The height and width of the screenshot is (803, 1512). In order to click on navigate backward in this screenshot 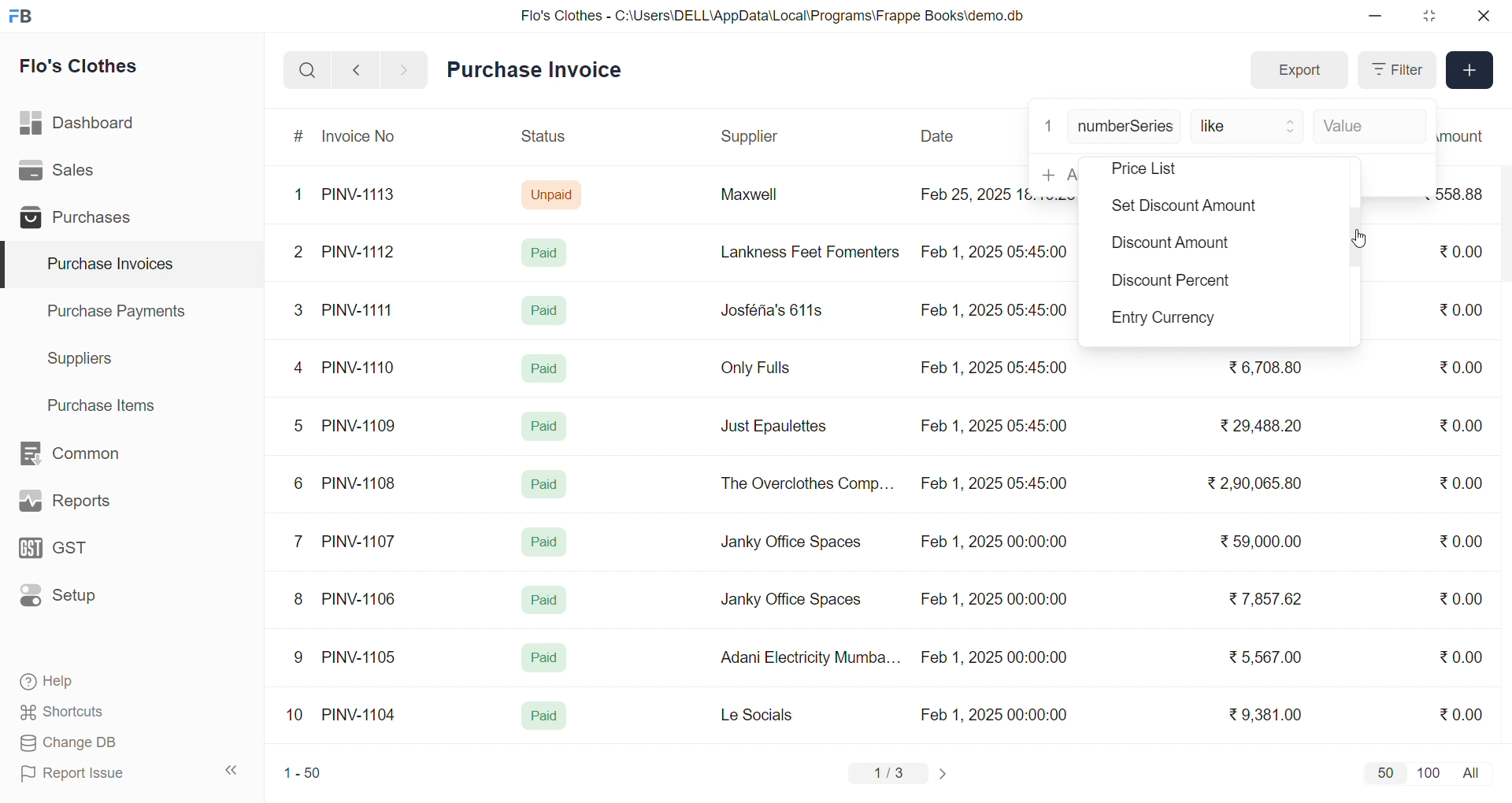, I will do `click(356, 69)`.